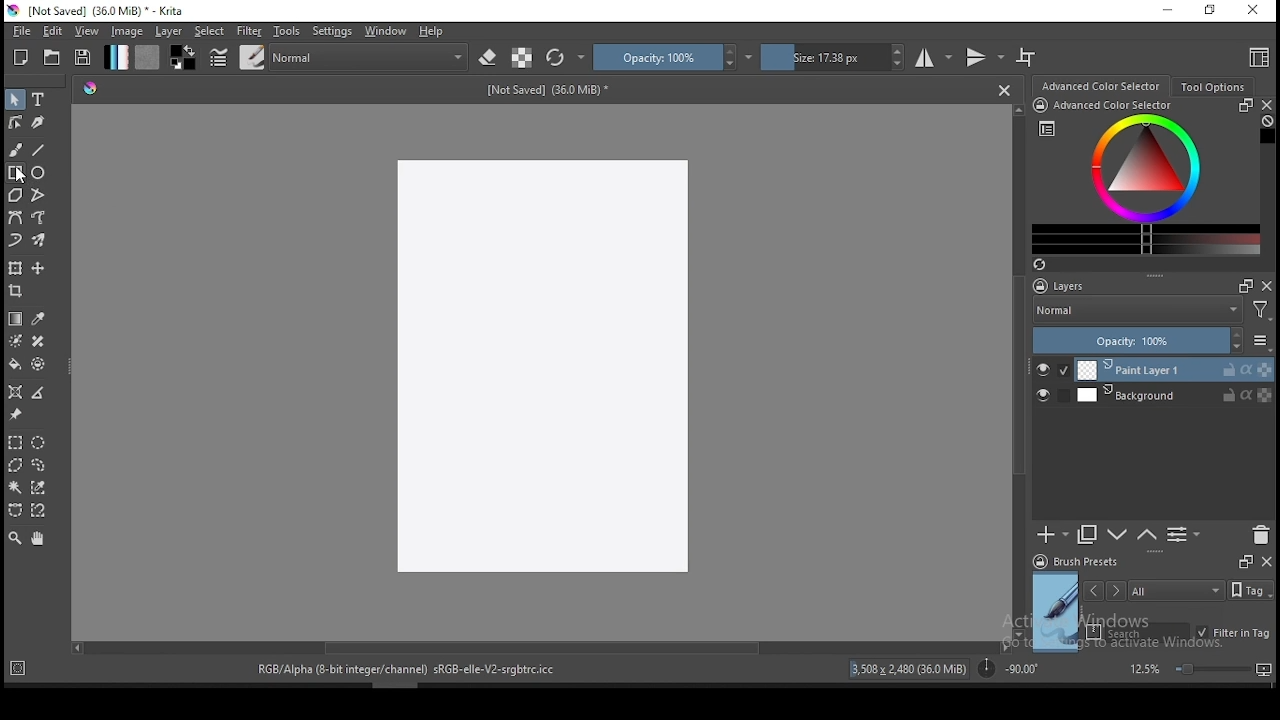 The width and height of the screenshot is (1280, 720). Describe the element at coordinates (1176, 590) in the screenshot. I see `tags` at that location.